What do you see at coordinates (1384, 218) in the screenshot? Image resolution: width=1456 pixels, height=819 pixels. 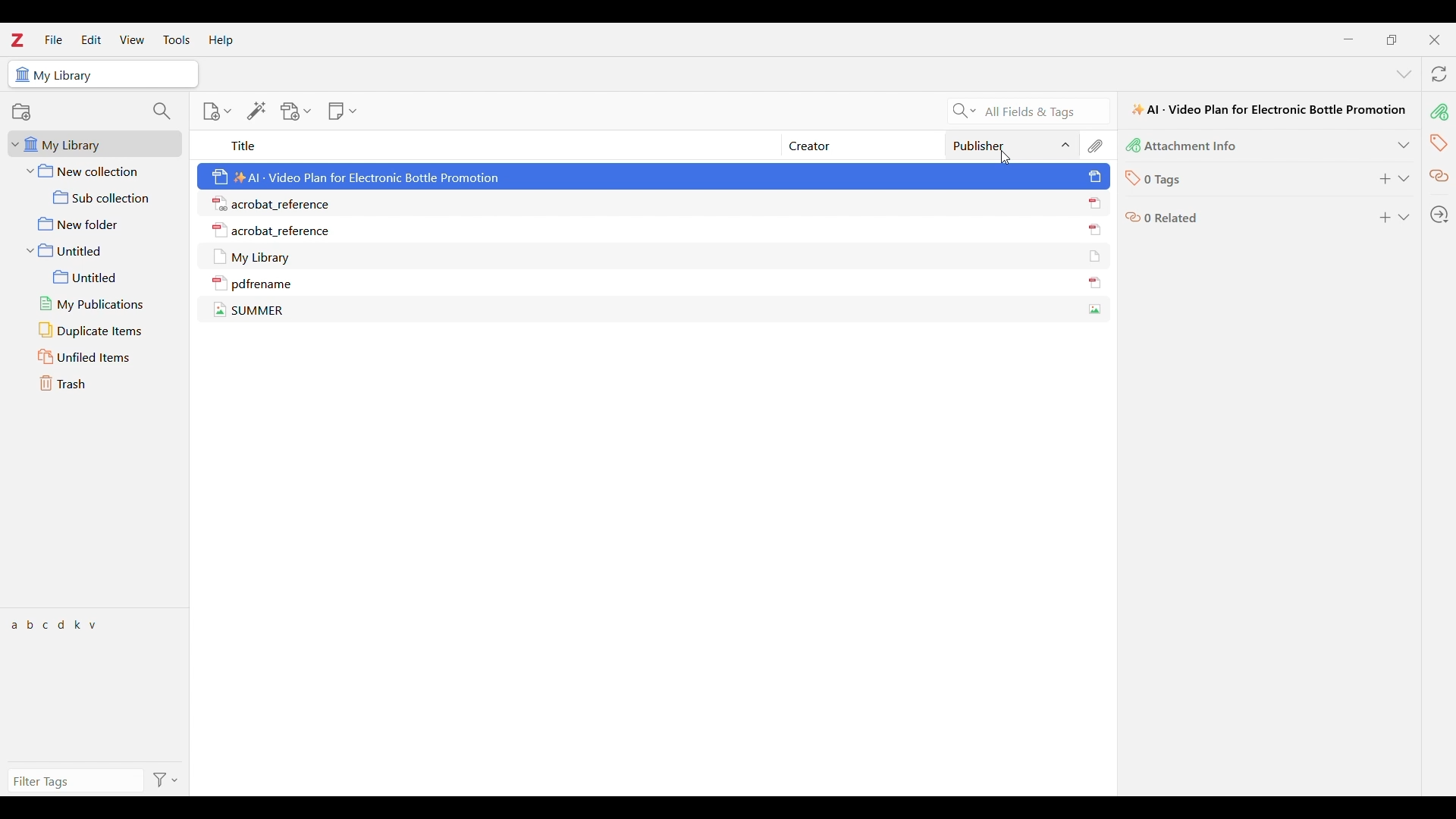 I see `Add Related` at bounding box center [1384, 218].